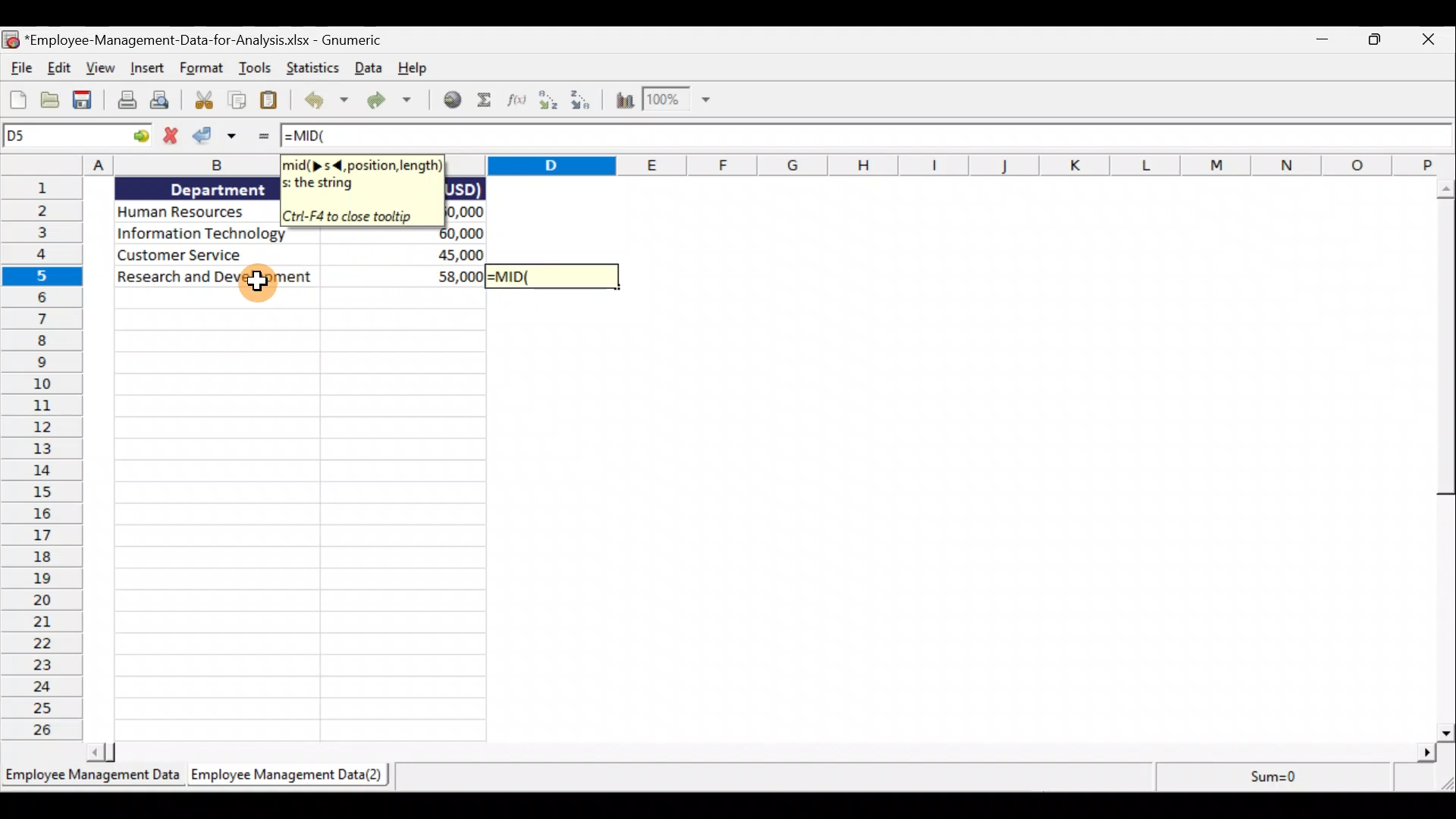 This screenshot has width=1456, height=819. I want to click on Scroll bar, so click(1439, 458).